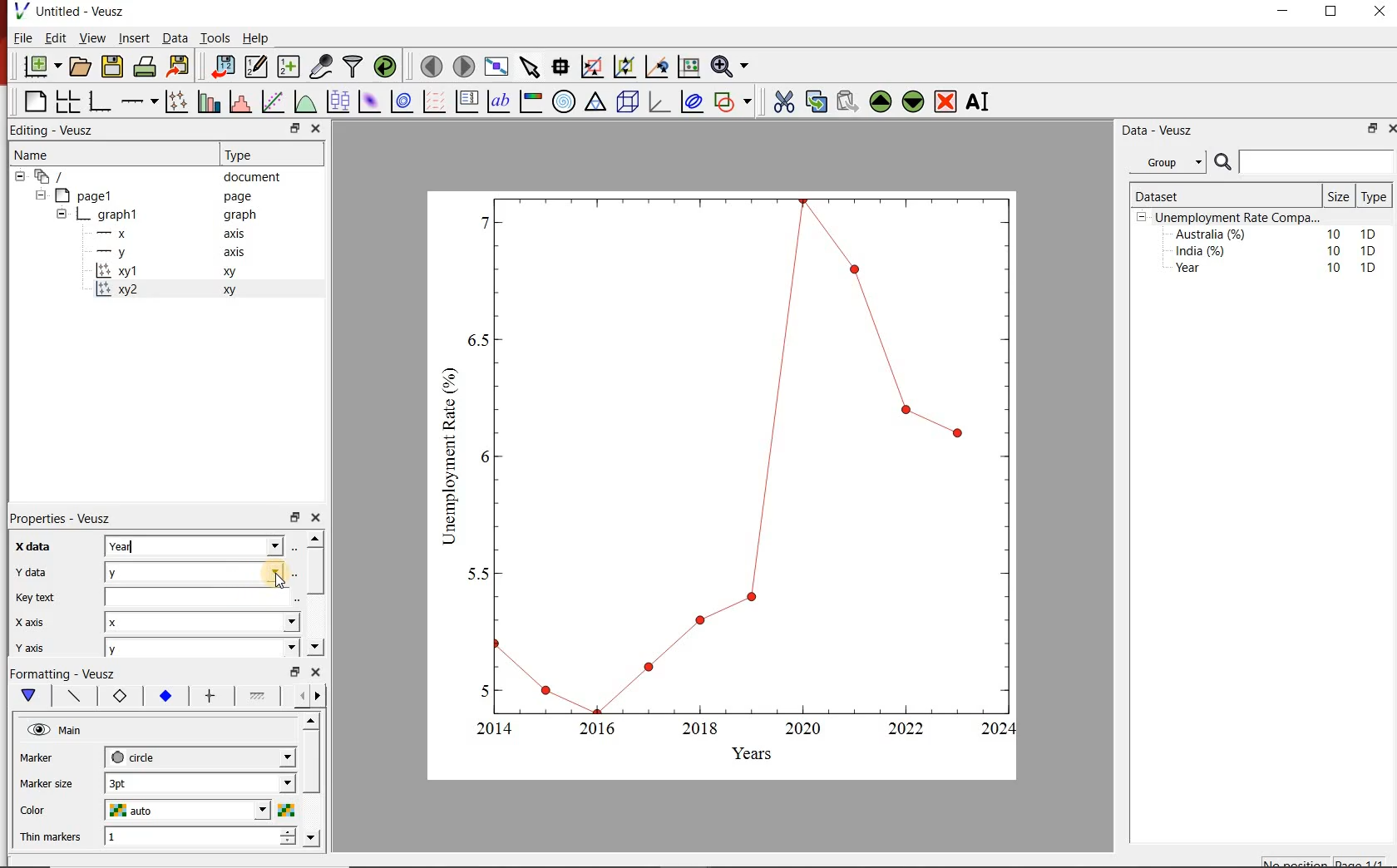  What do you see at coordinates (55, 129) in the screenshot?
I see `Editing - Veusz` at bounding box center [55, 129].